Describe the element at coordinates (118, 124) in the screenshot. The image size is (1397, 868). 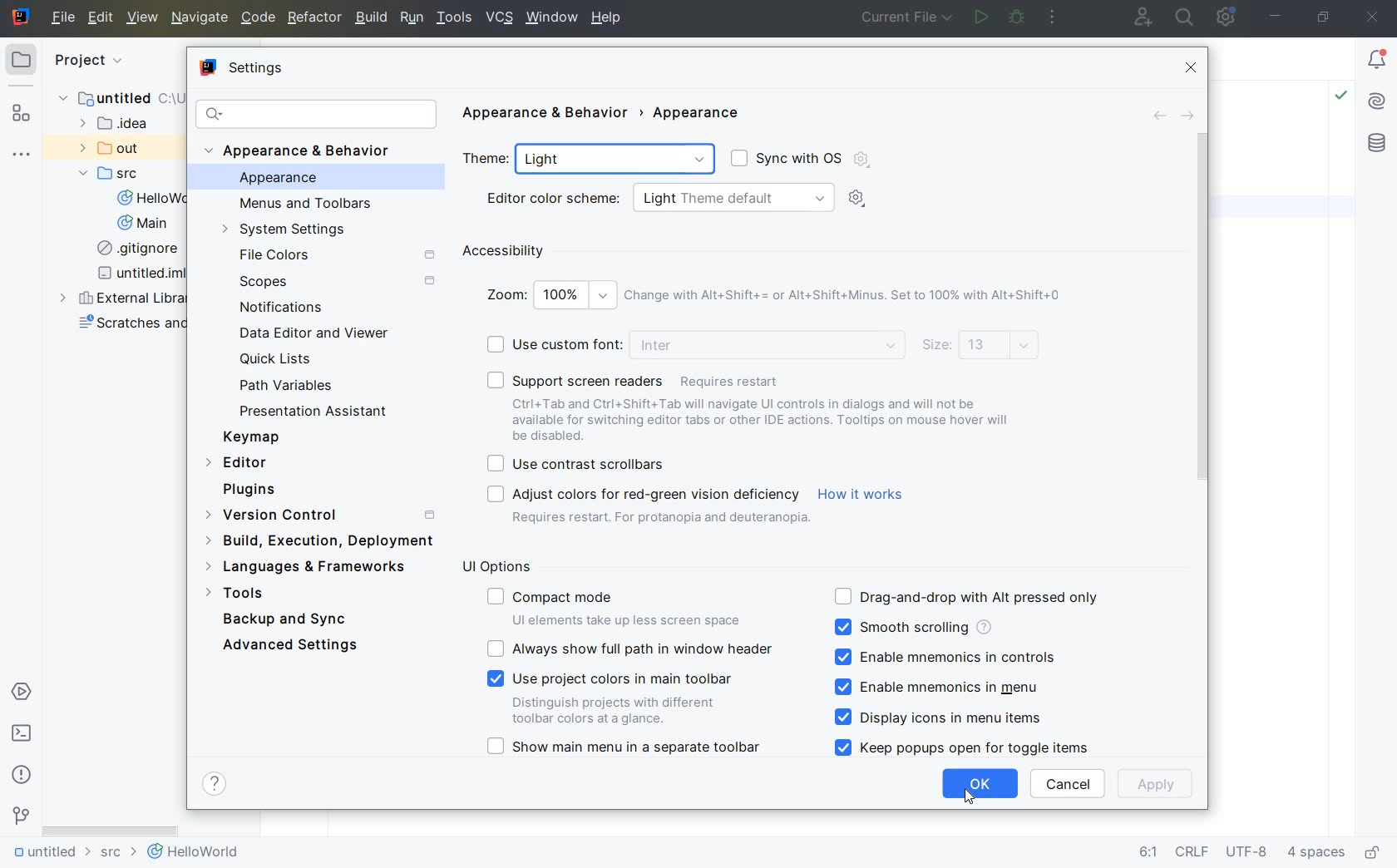
I see `IDEA` at that location.